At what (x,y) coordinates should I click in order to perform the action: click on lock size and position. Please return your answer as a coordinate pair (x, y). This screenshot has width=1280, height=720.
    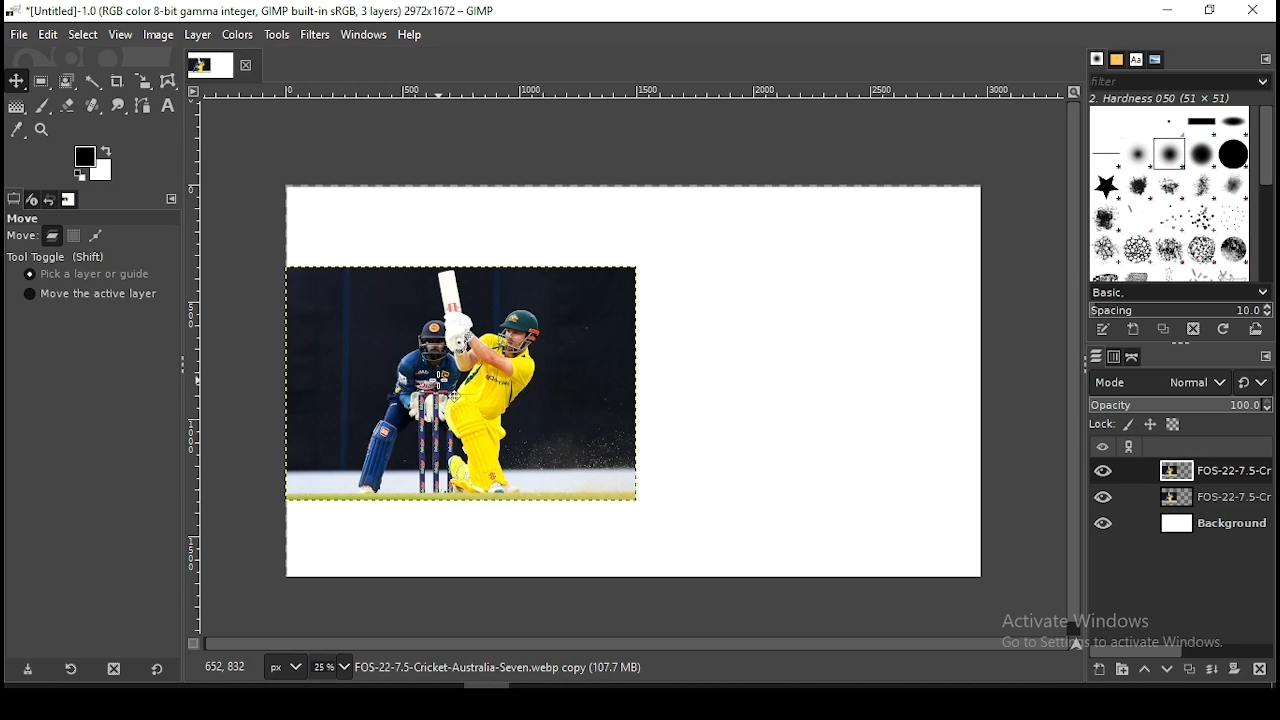
    Looking at the image, I should click on (1151, 426).